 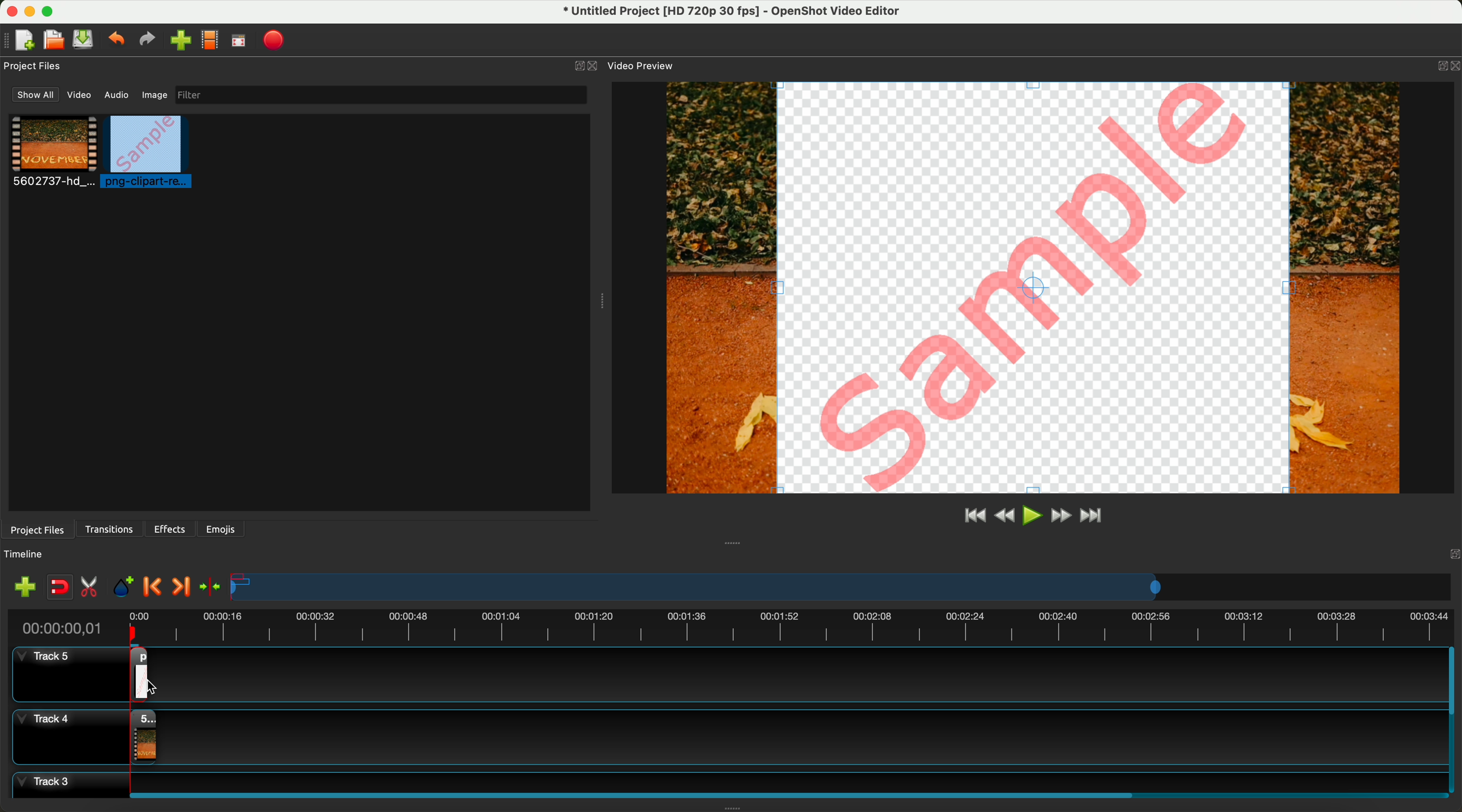 What do you see at coordinates (1093, 517) in the screenshot?
I see `jump to end` at bounding box center [1093, 517].